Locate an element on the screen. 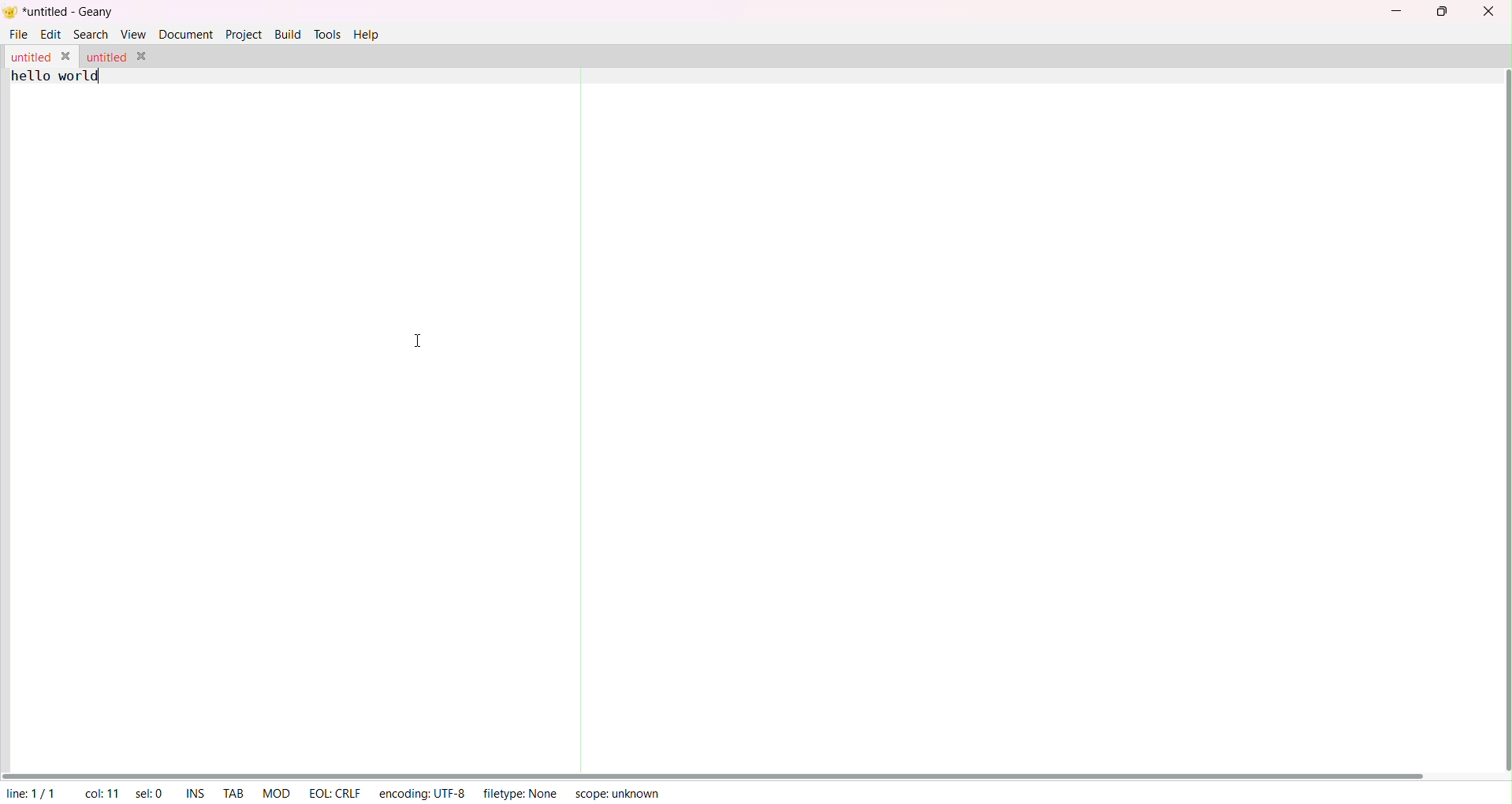 The width and height of the screenshot is (1512, 804). INS is located at coordinates (192, 791).